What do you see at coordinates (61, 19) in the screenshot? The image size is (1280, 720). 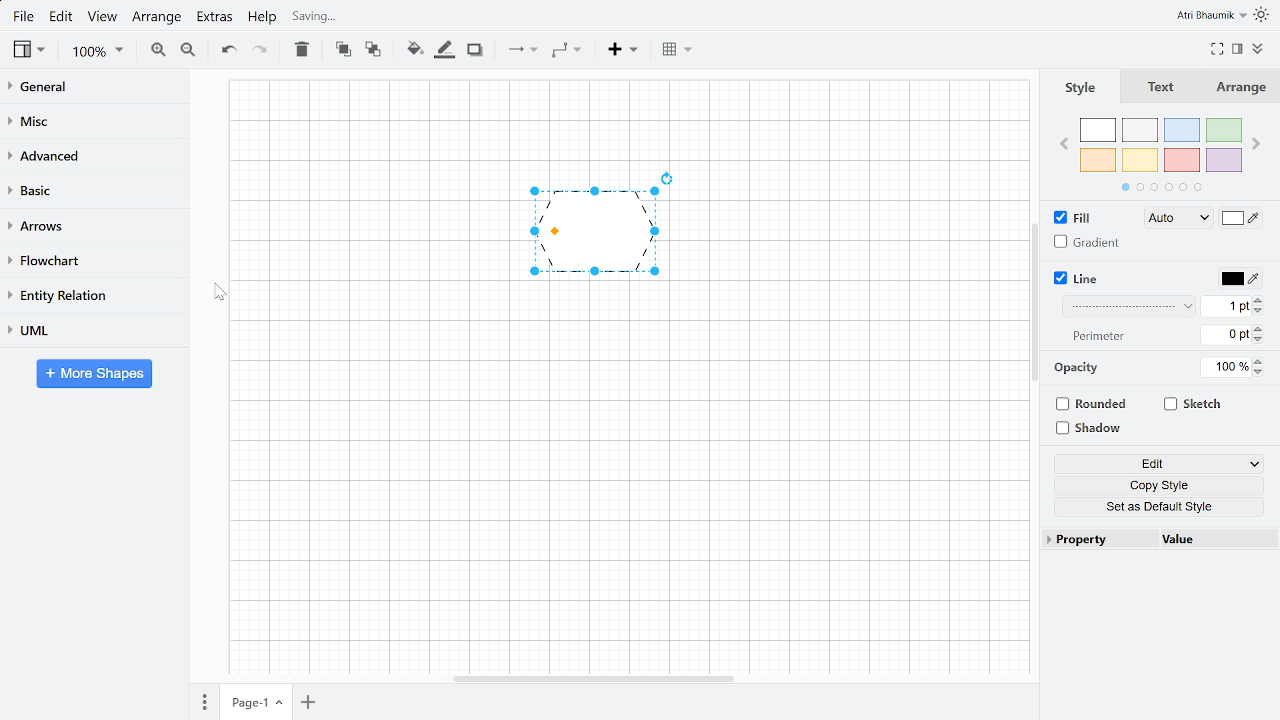 I see `Edit` at bounding box center [61, 19].